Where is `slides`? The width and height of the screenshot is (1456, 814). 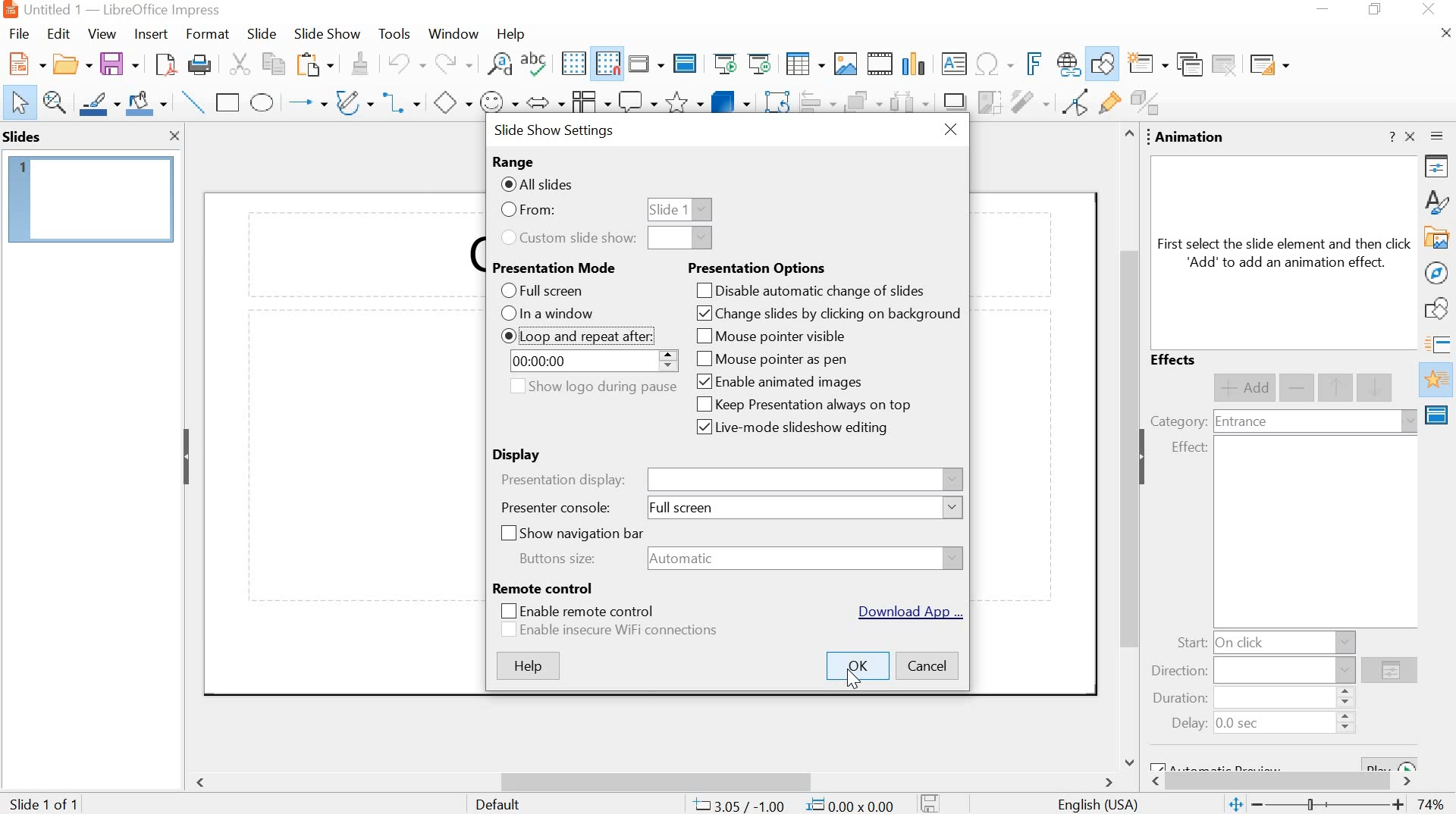
slides is located at coordinates (25, 136).